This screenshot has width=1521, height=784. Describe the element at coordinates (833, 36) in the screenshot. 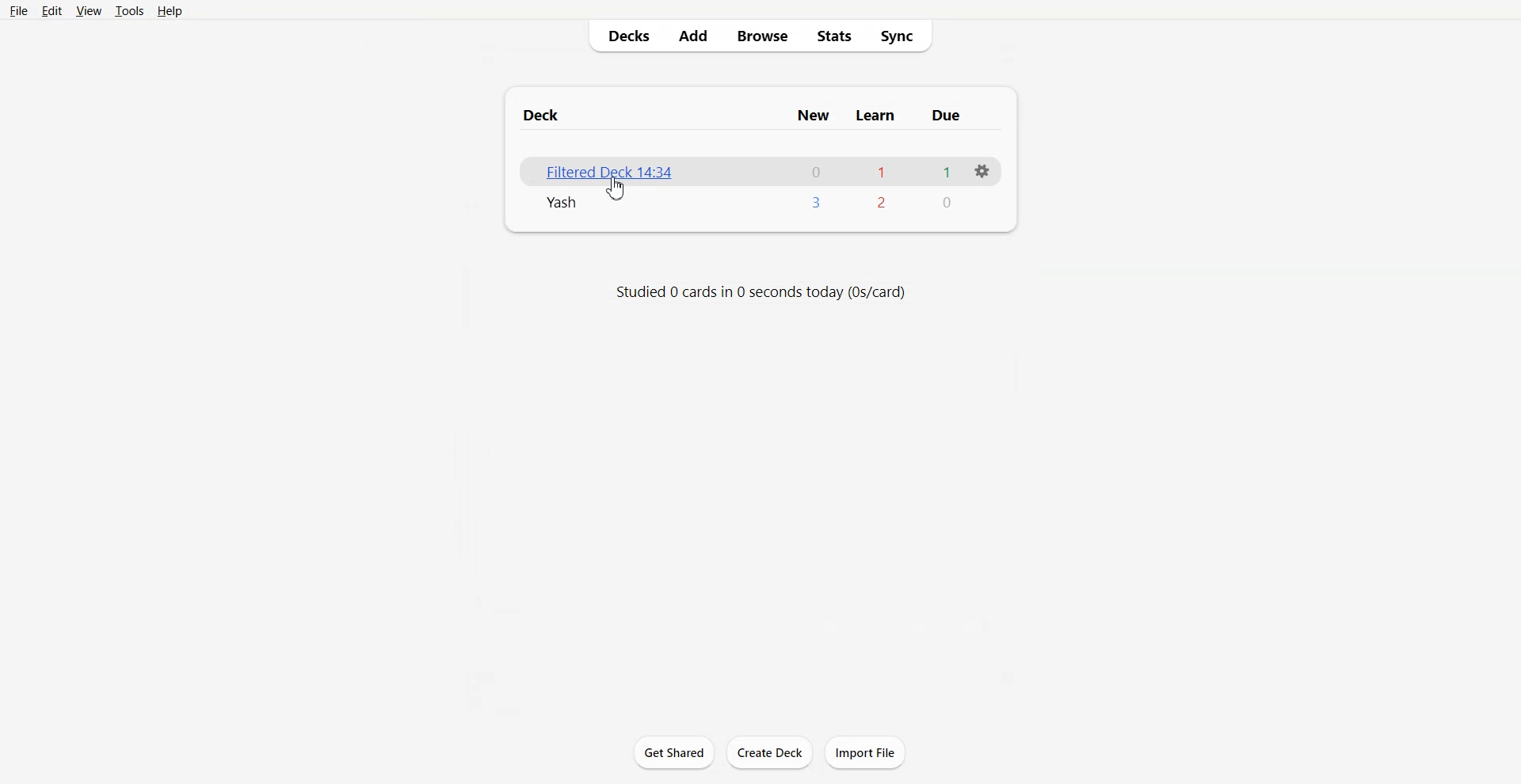

I see `Stats` at that location.